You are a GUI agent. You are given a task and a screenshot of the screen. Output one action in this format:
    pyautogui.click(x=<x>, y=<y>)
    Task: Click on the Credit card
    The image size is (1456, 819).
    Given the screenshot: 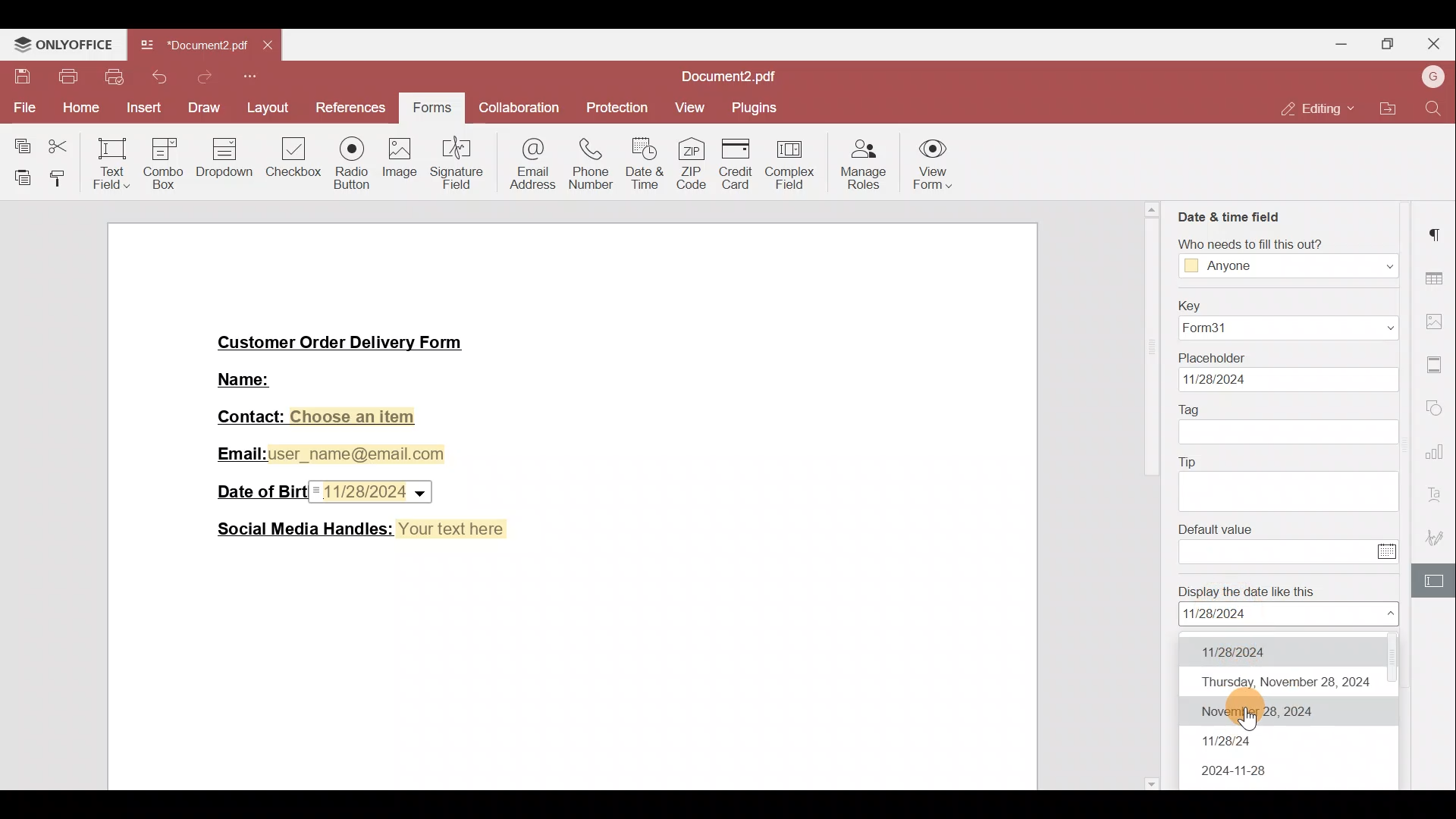 What is the action you would take?
    pyautogui.click(x=742, y=165)
    